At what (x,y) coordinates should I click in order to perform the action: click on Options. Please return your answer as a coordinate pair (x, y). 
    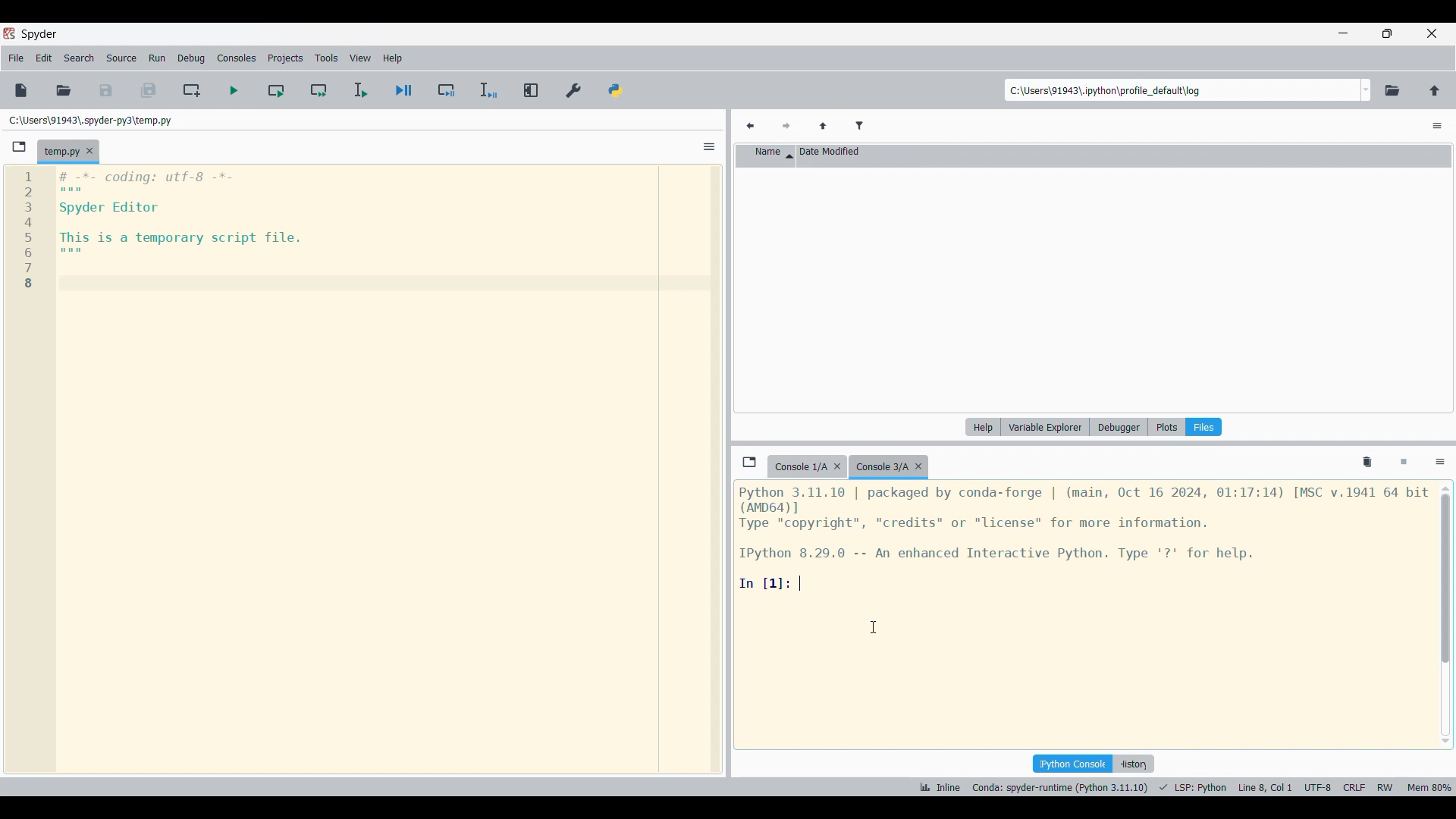
    Looking at the image, I should click on (1440, 463).